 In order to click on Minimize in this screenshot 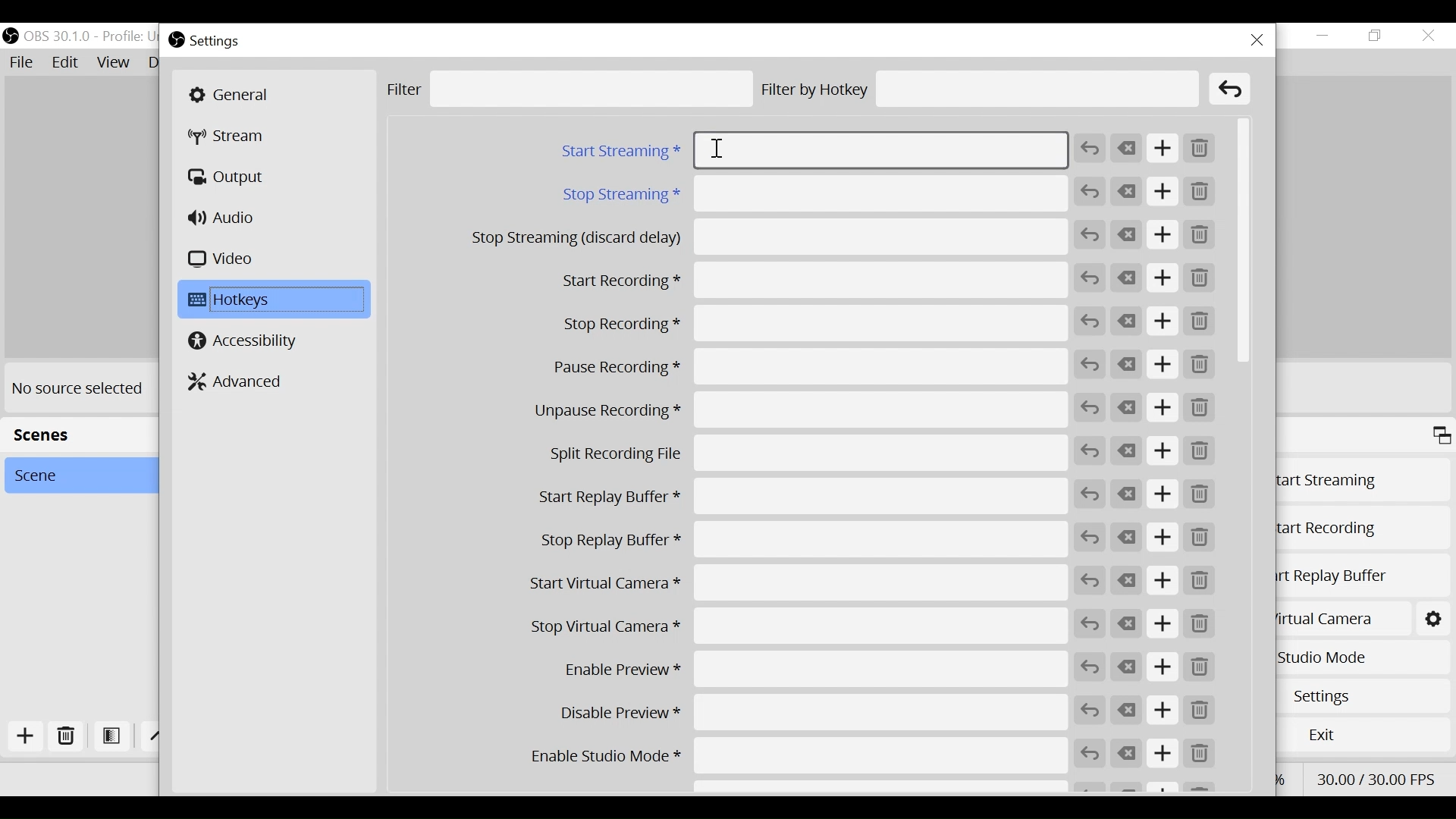, I will do `click(1323, 36)`.